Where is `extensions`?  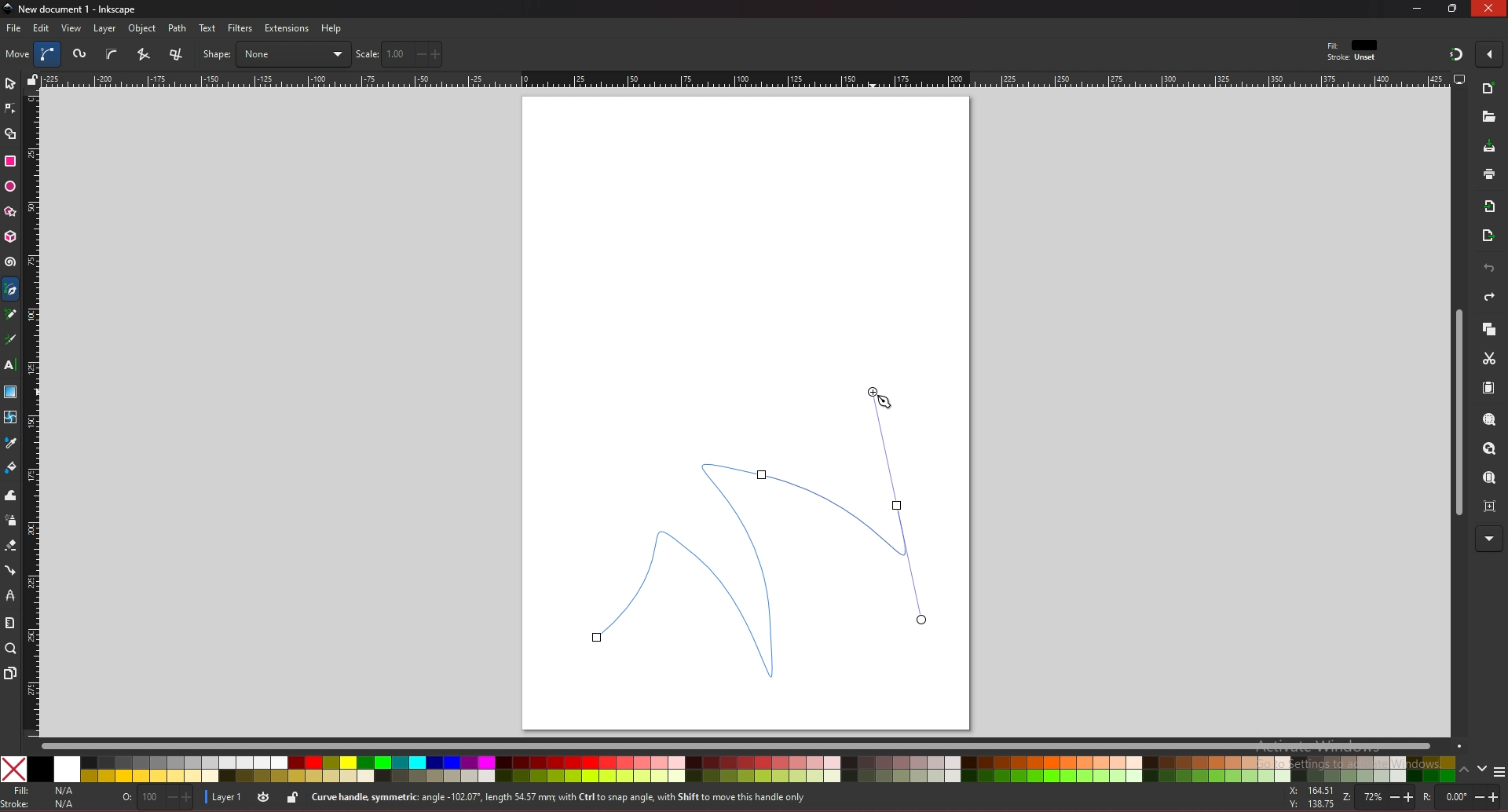 extensions is located at coordinates (286, 29).